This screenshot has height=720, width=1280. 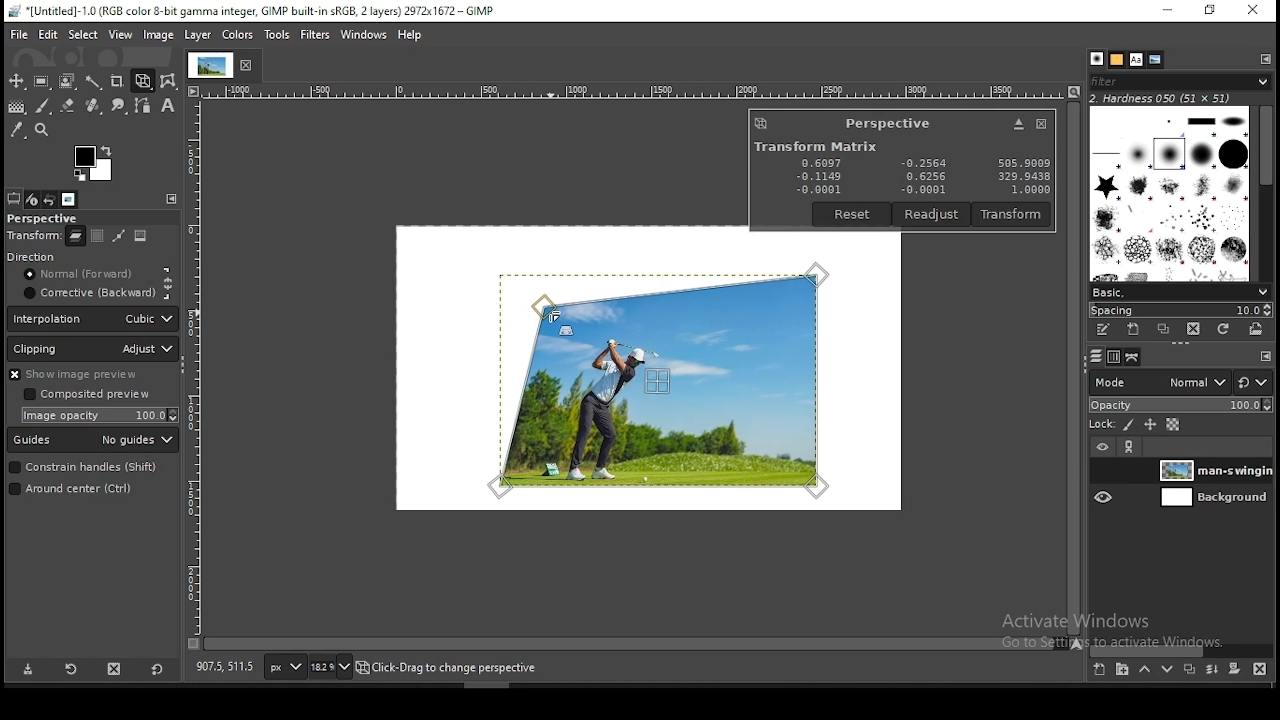 I want to click on restore, so click(x=1209, y=11).